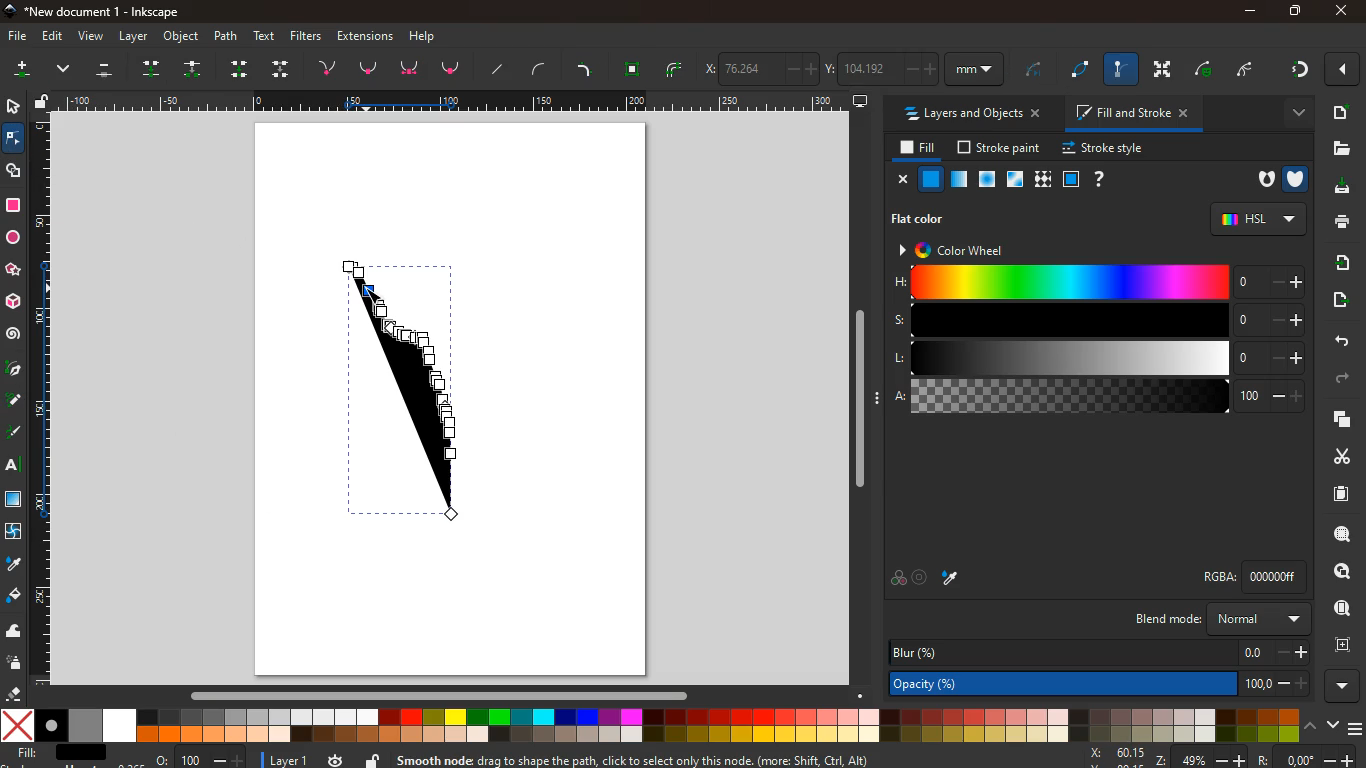  I want to click on send, so click(1343, 302).